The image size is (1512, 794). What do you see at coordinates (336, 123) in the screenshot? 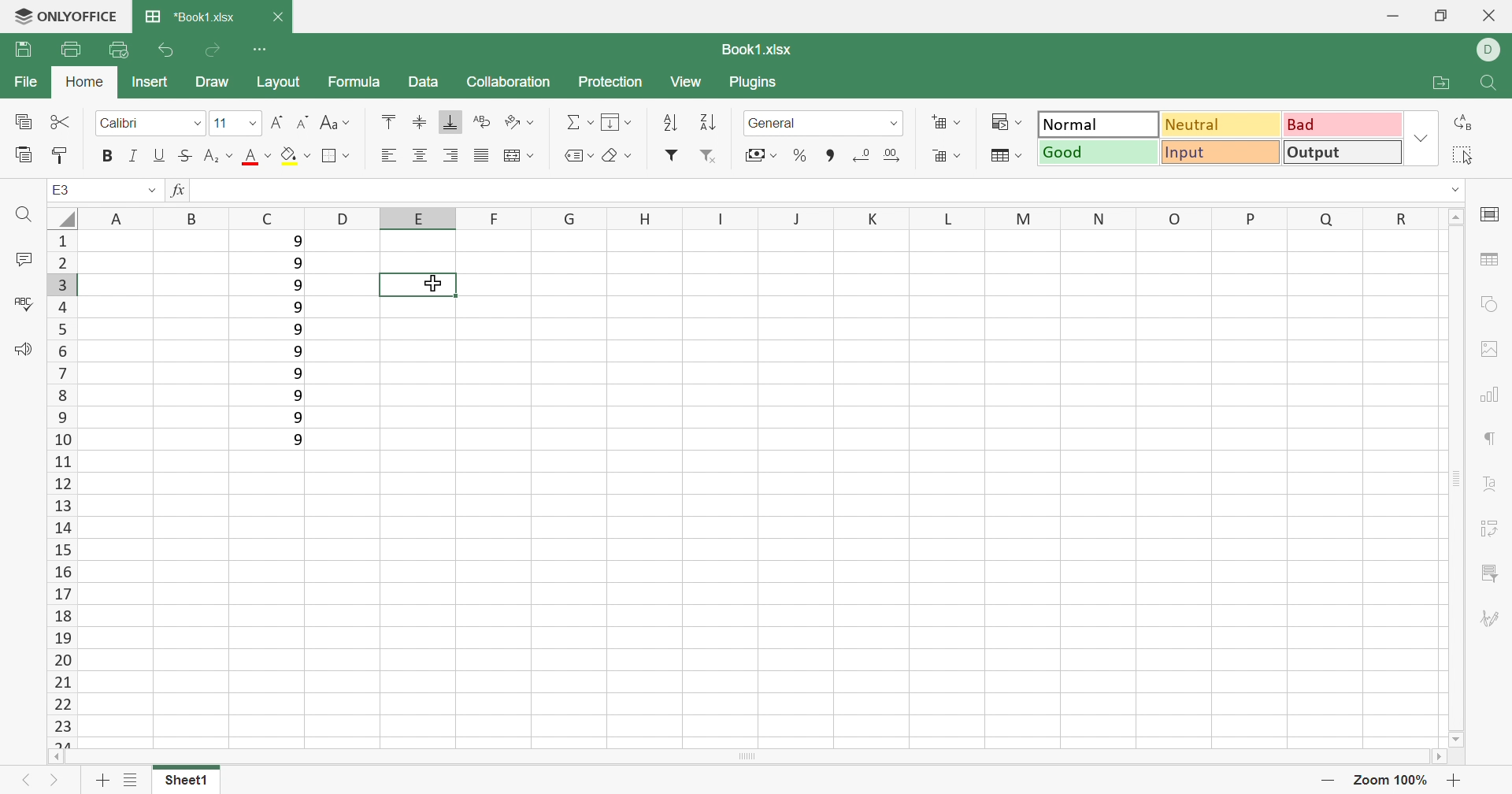
I see `Change case` at bounding box center [336, 123].